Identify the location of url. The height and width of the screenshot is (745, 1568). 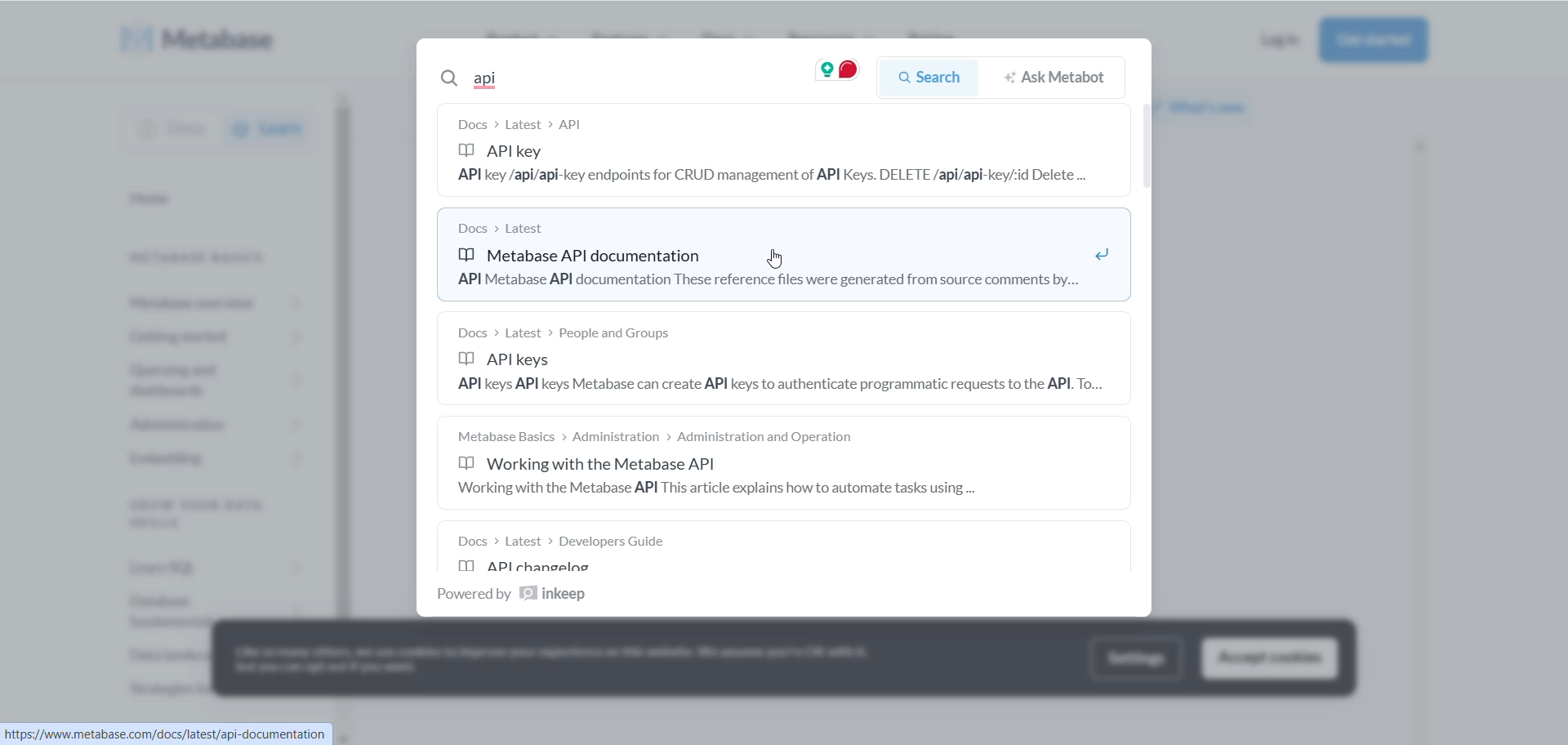
(166, 731).